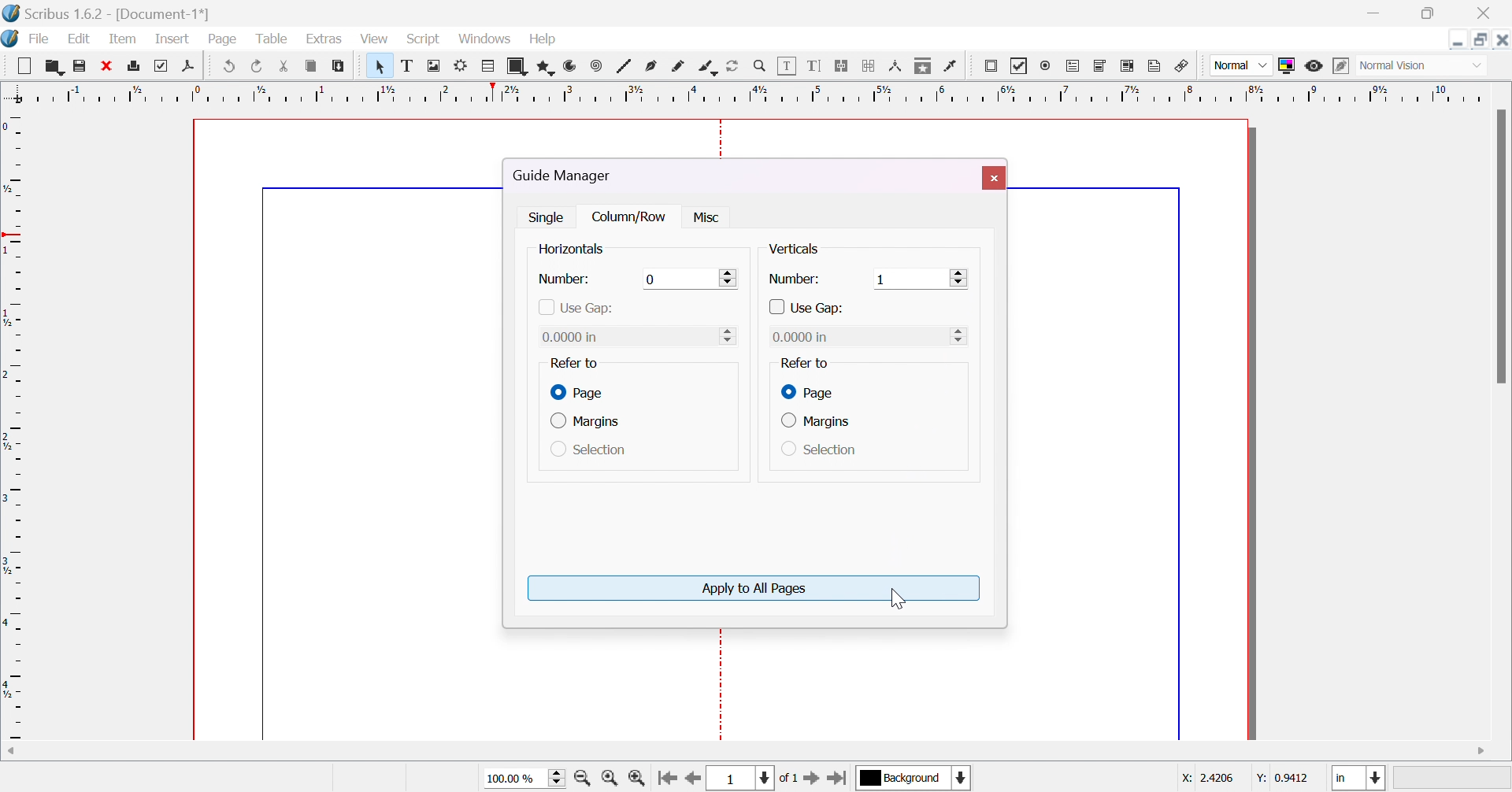 The height and width of the screenshot is (792, 1512). I want to click on shape, so click(519, 66).